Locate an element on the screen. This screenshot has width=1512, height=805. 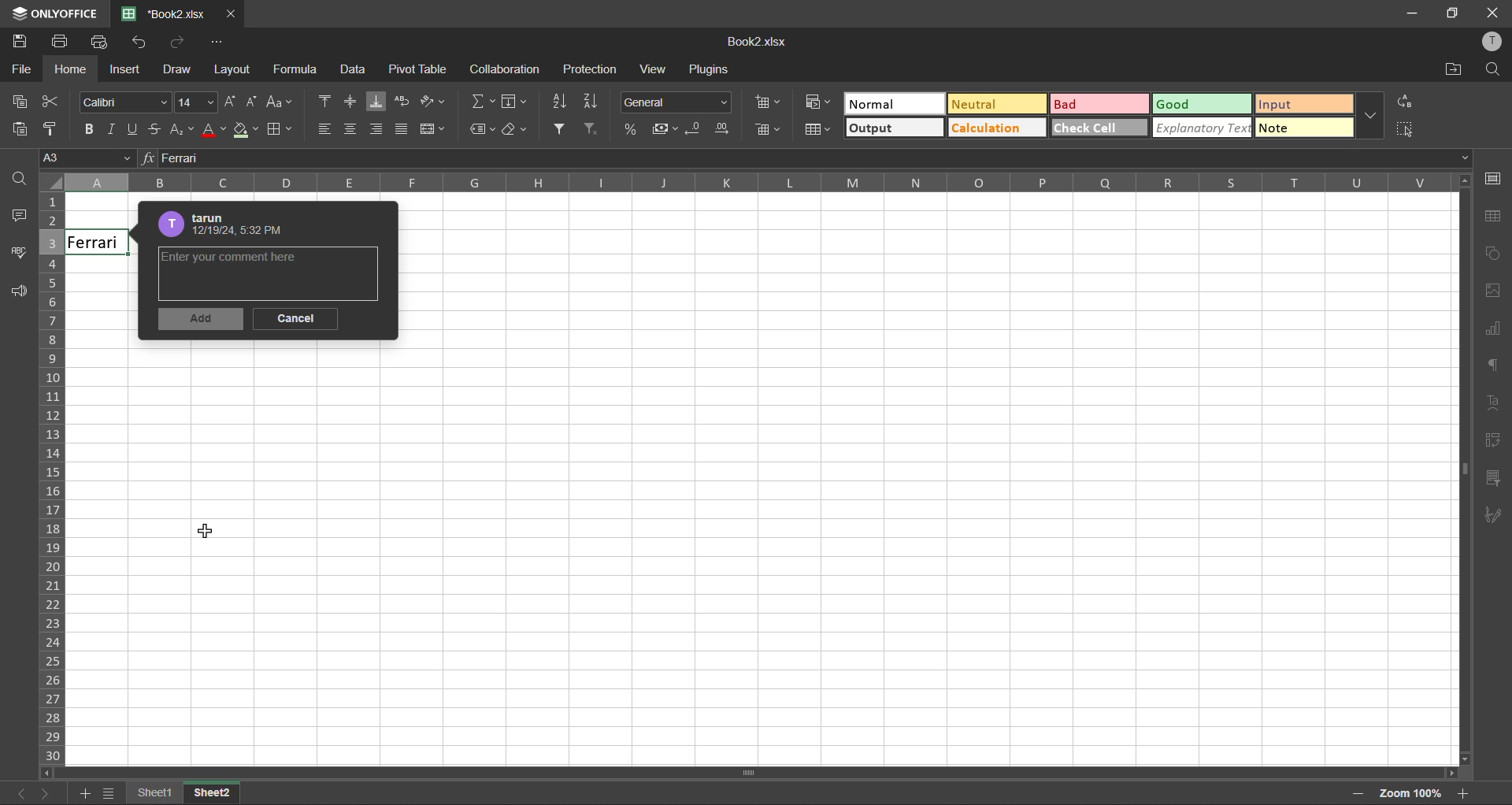
redo is located at coordinates (180, 43).